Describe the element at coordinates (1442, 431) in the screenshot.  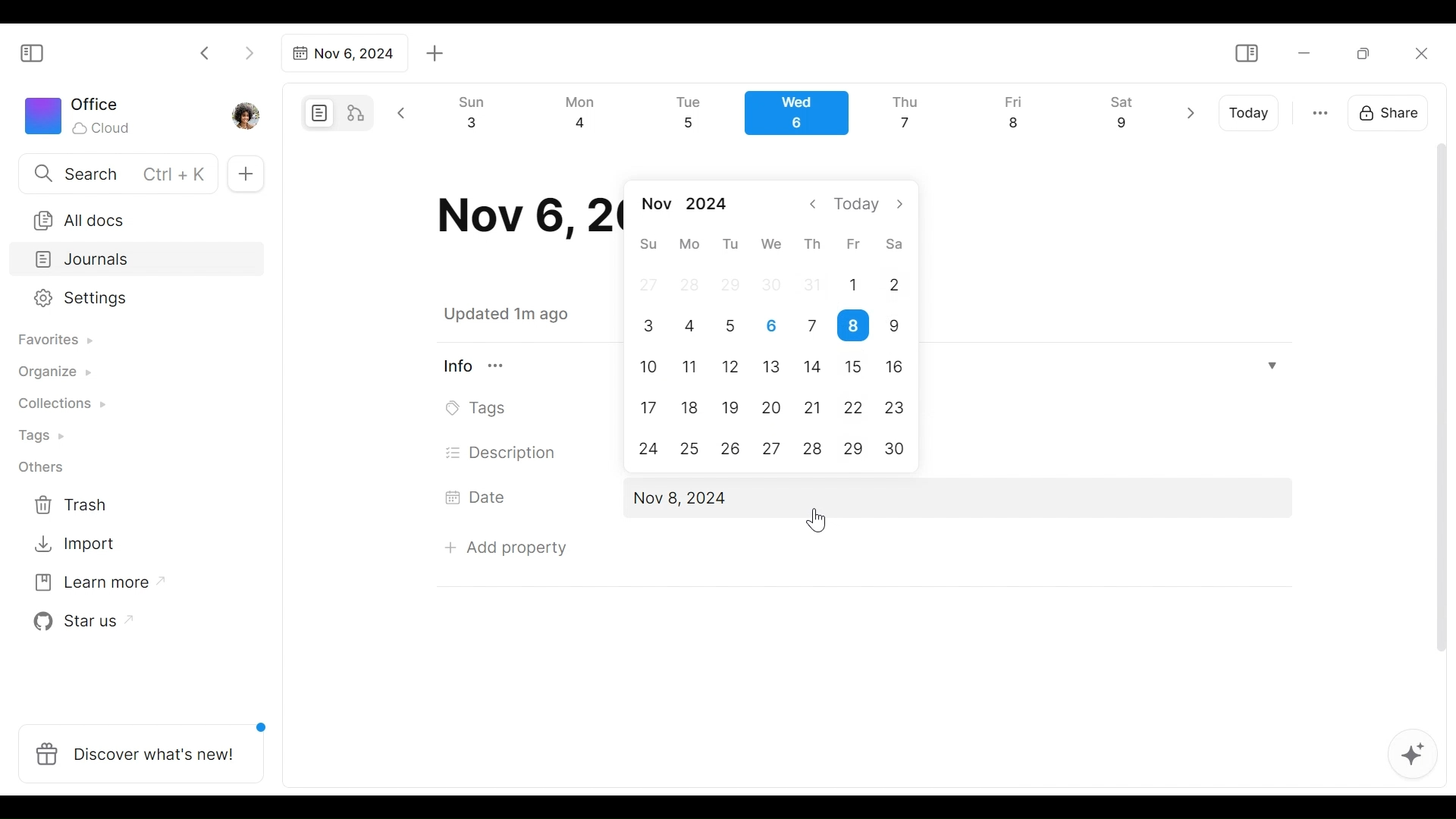
I see `vertical scrollbar` at that location.